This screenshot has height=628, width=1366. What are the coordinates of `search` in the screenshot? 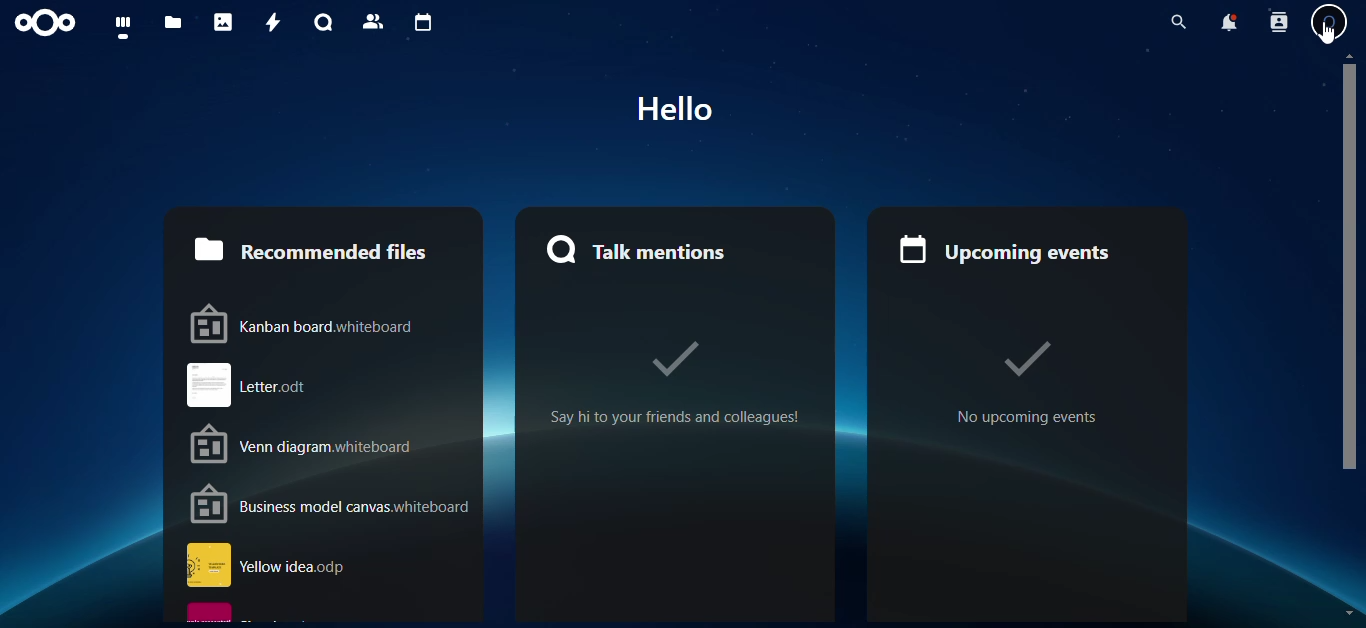 It's located at (1178, 22).